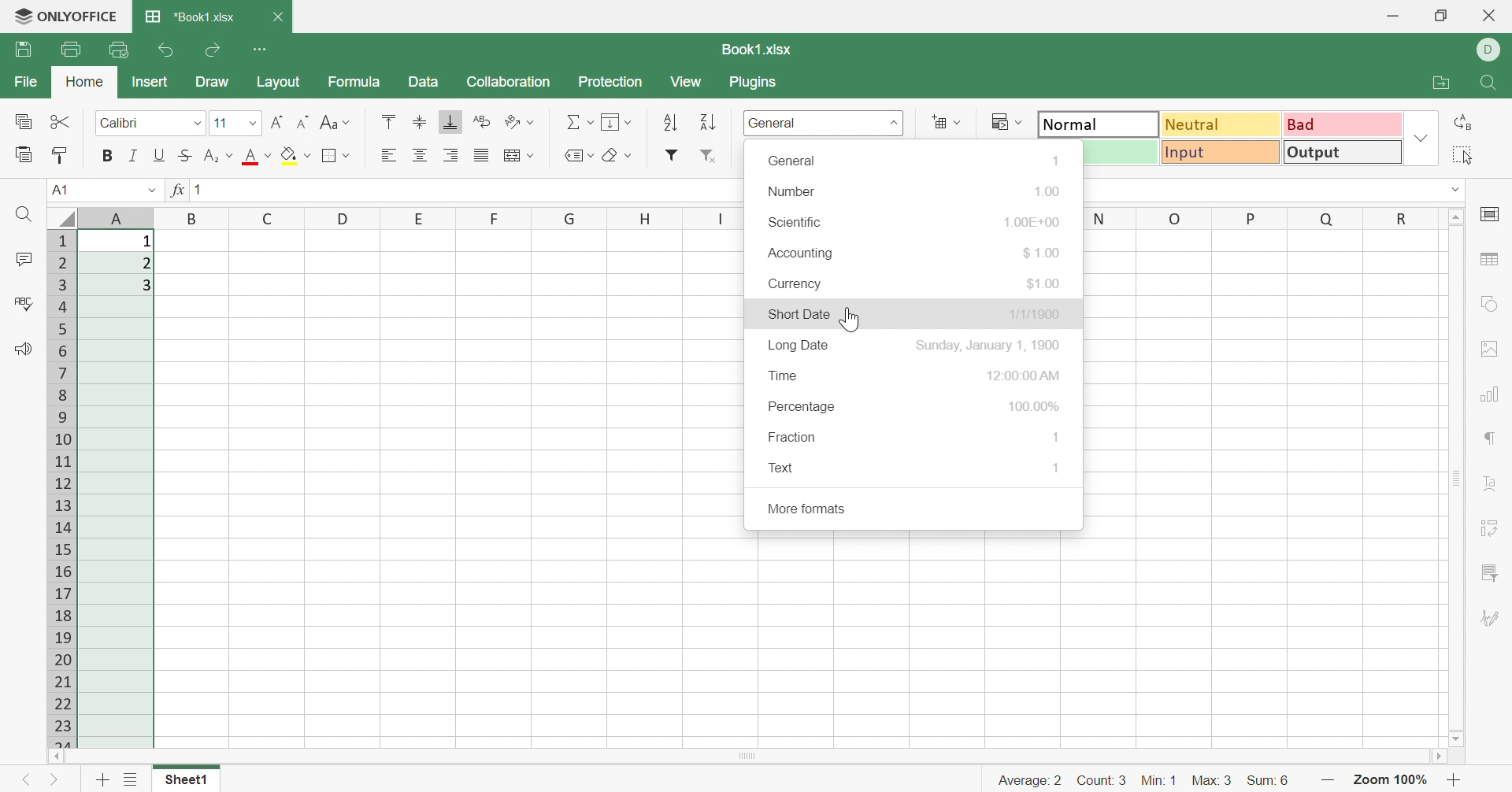 The height and width of the screenshot is (792, 1512). I want to click on Insert, so click(150, 81).